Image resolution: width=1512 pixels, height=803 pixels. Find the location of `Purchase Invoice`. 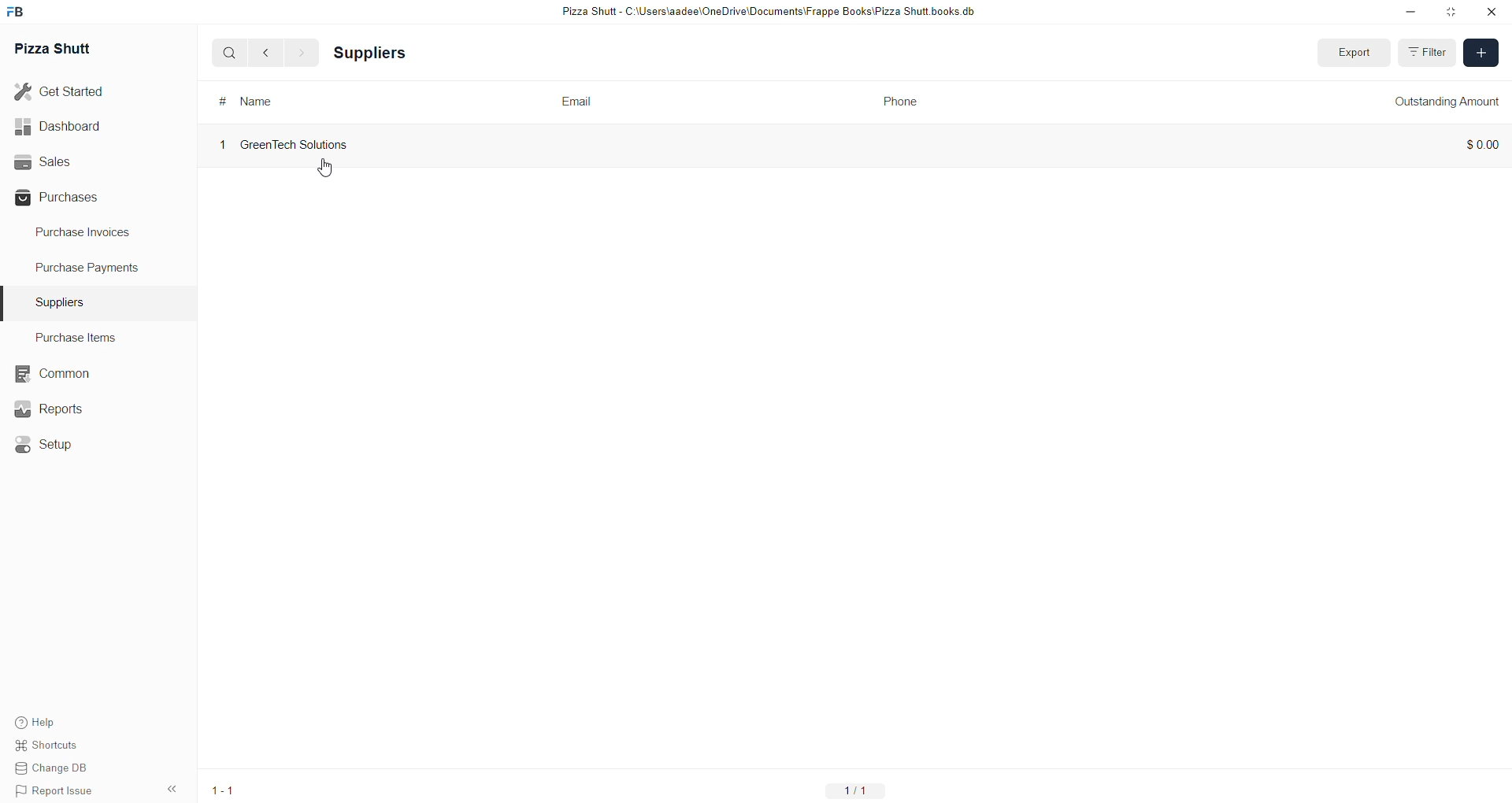

Purchase Invoice is located at coordinates (405, 52).